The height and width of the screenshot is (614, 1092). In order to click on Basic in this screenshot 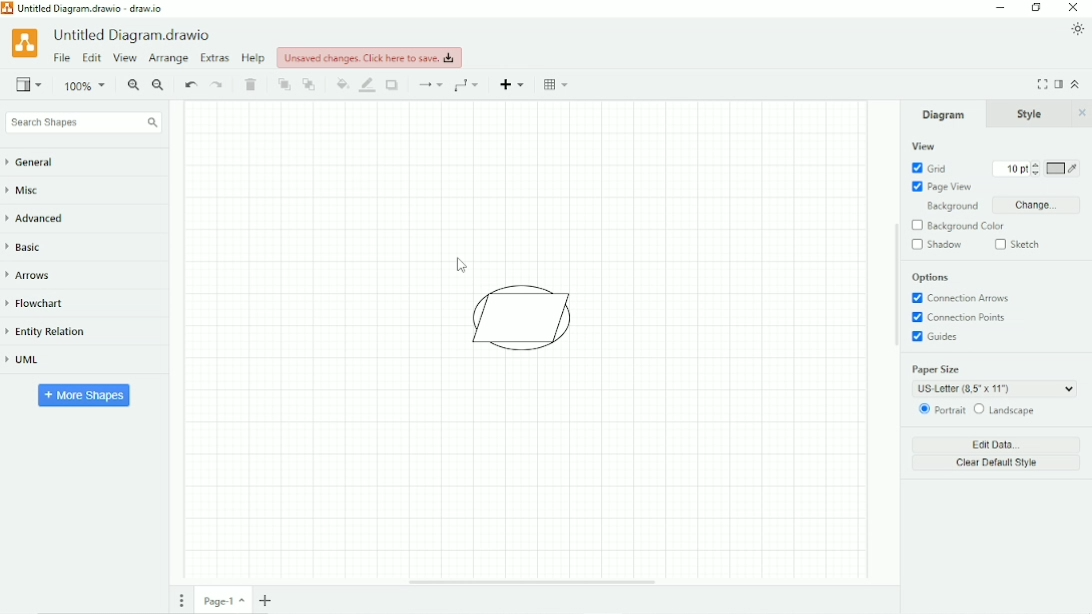, I will do `click(28, 246)`.